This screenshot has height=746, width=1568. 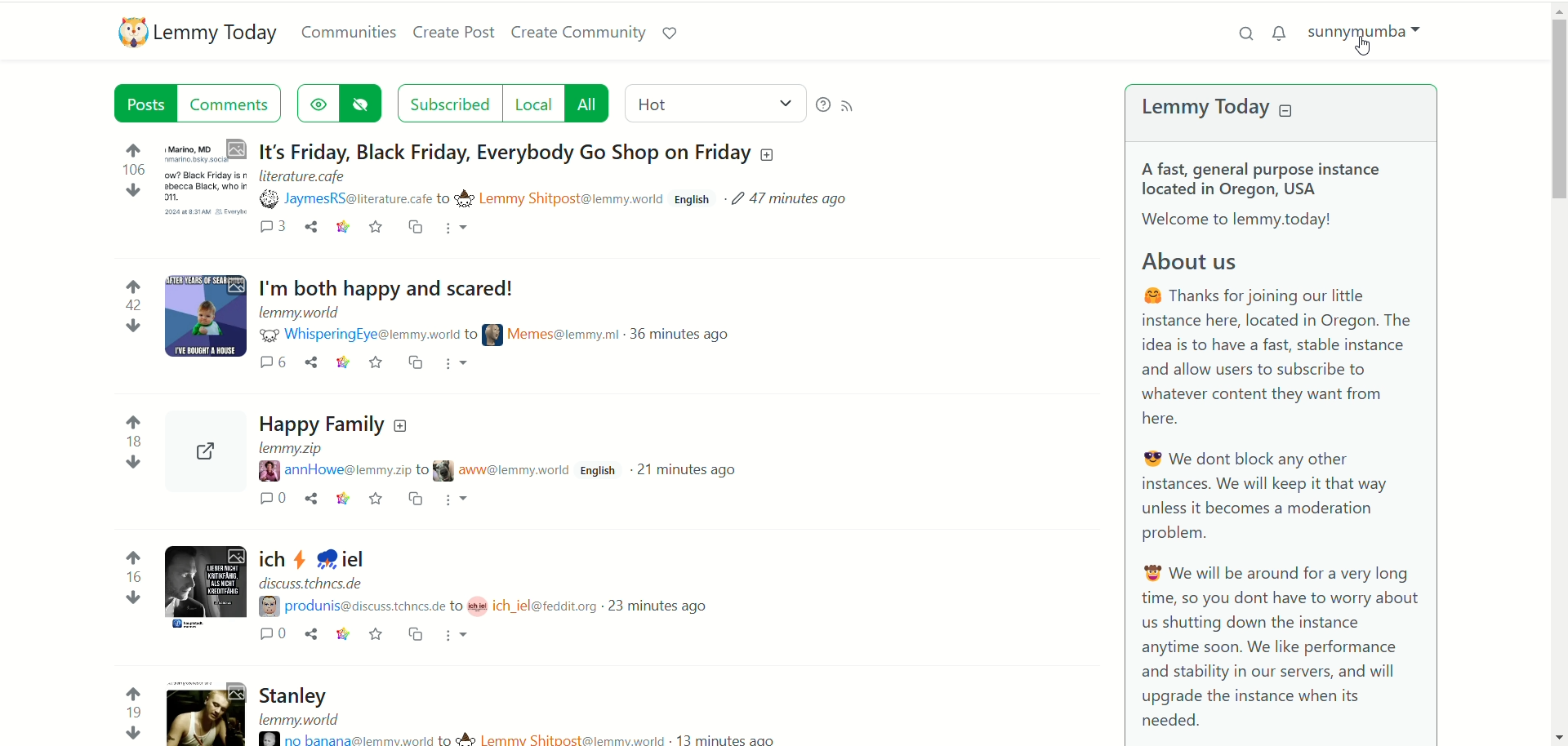 What do you see at coordinates (312, 229) in the screenshot?
I see `share` at bounding box center [312, 229].